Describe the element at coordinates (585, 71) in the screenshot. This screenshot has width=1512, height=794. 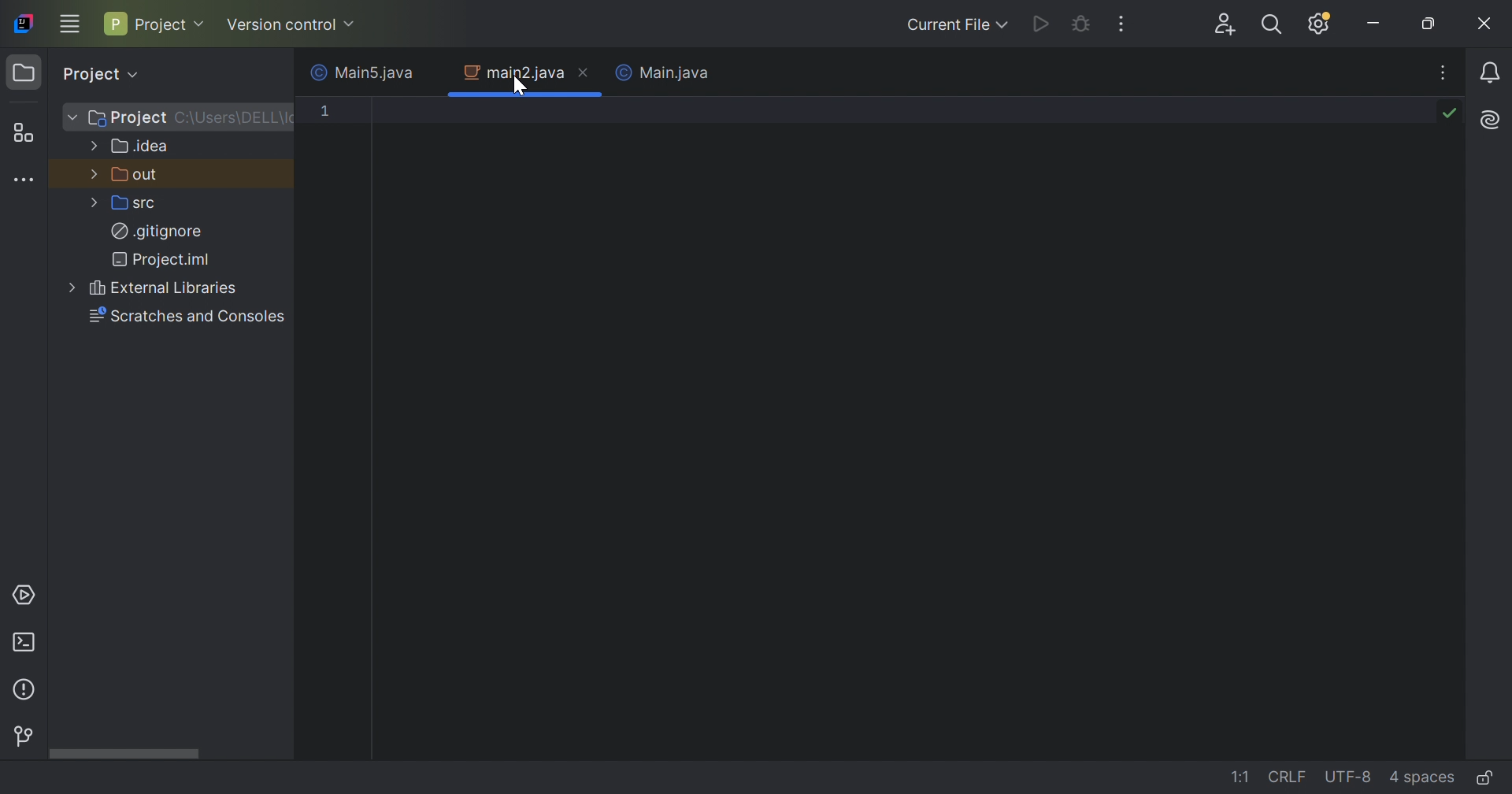
I see `Close` at that location.